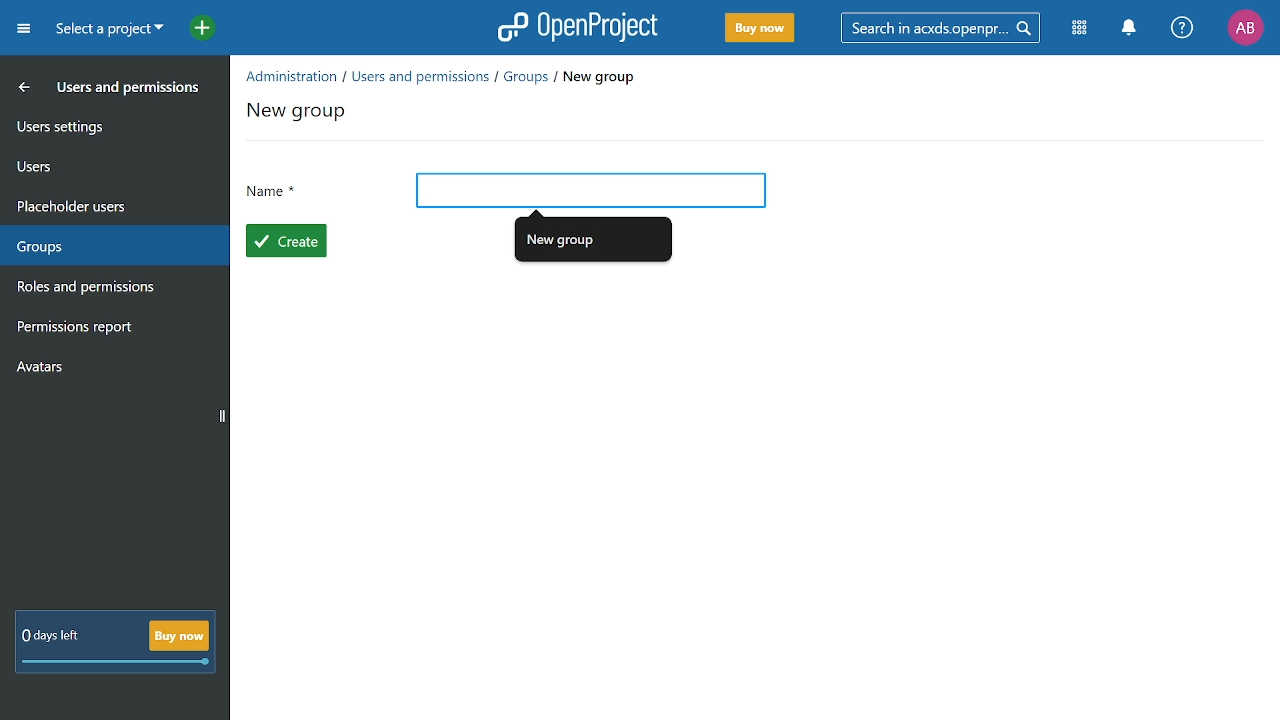  What do you see at coordinates (590, 190) in the screenshot?
I see `Add name` at bounding box center [590, 190].